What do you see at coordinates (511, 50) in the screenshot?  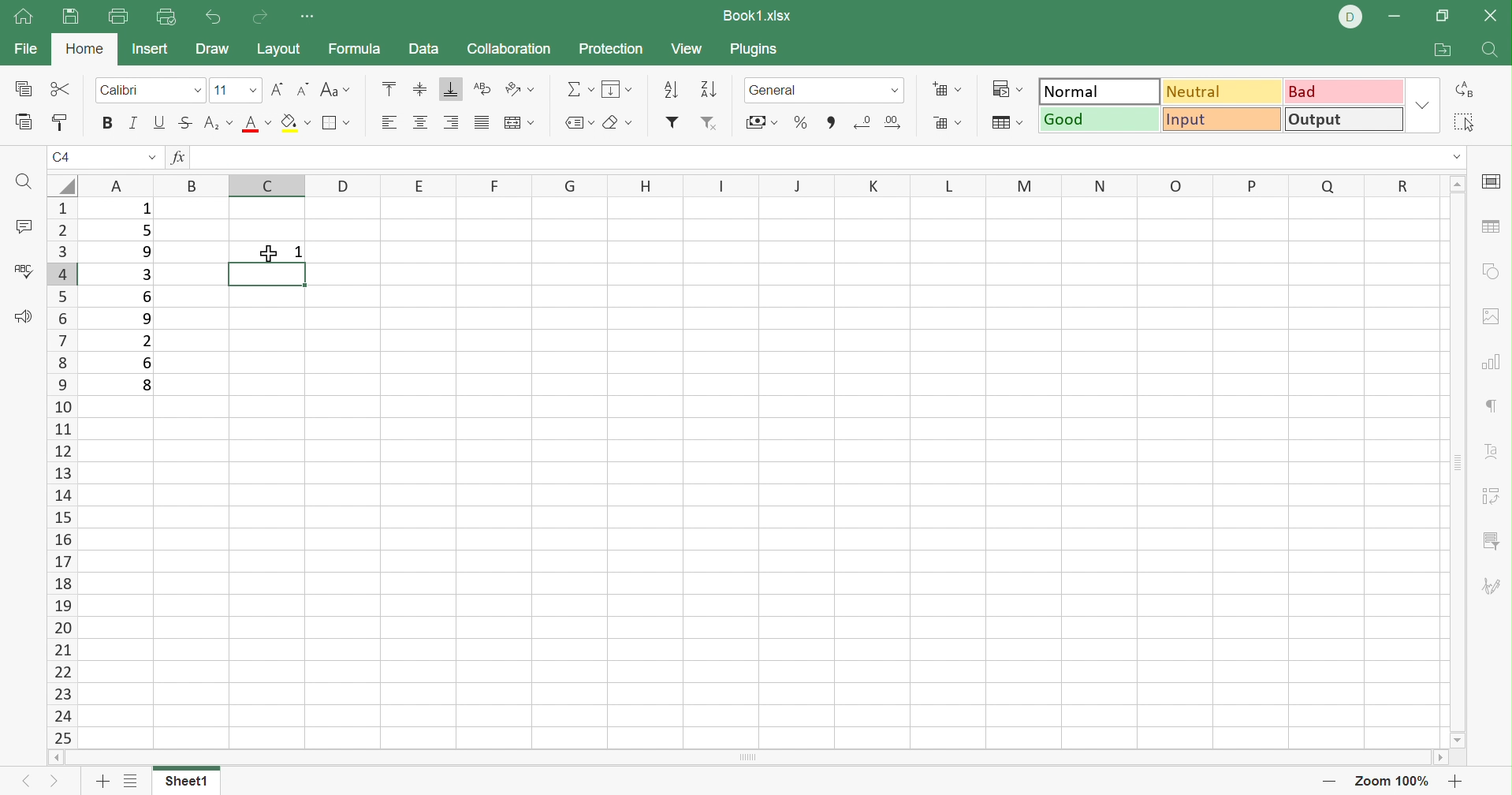 I see `ollaboration` at bounding box center [511, 50].